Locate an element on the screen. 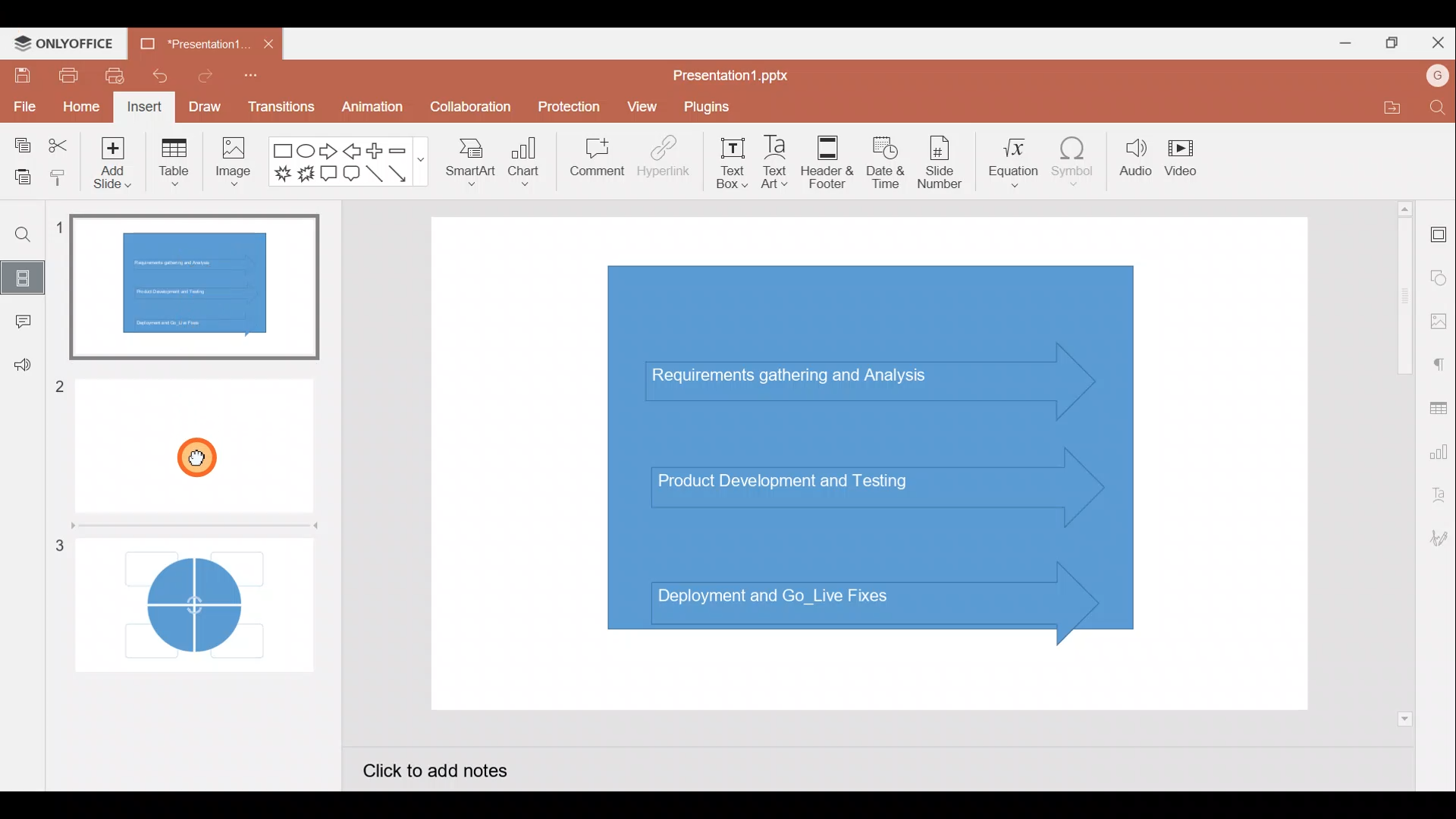  Comment is located at coordinates (592, 158).